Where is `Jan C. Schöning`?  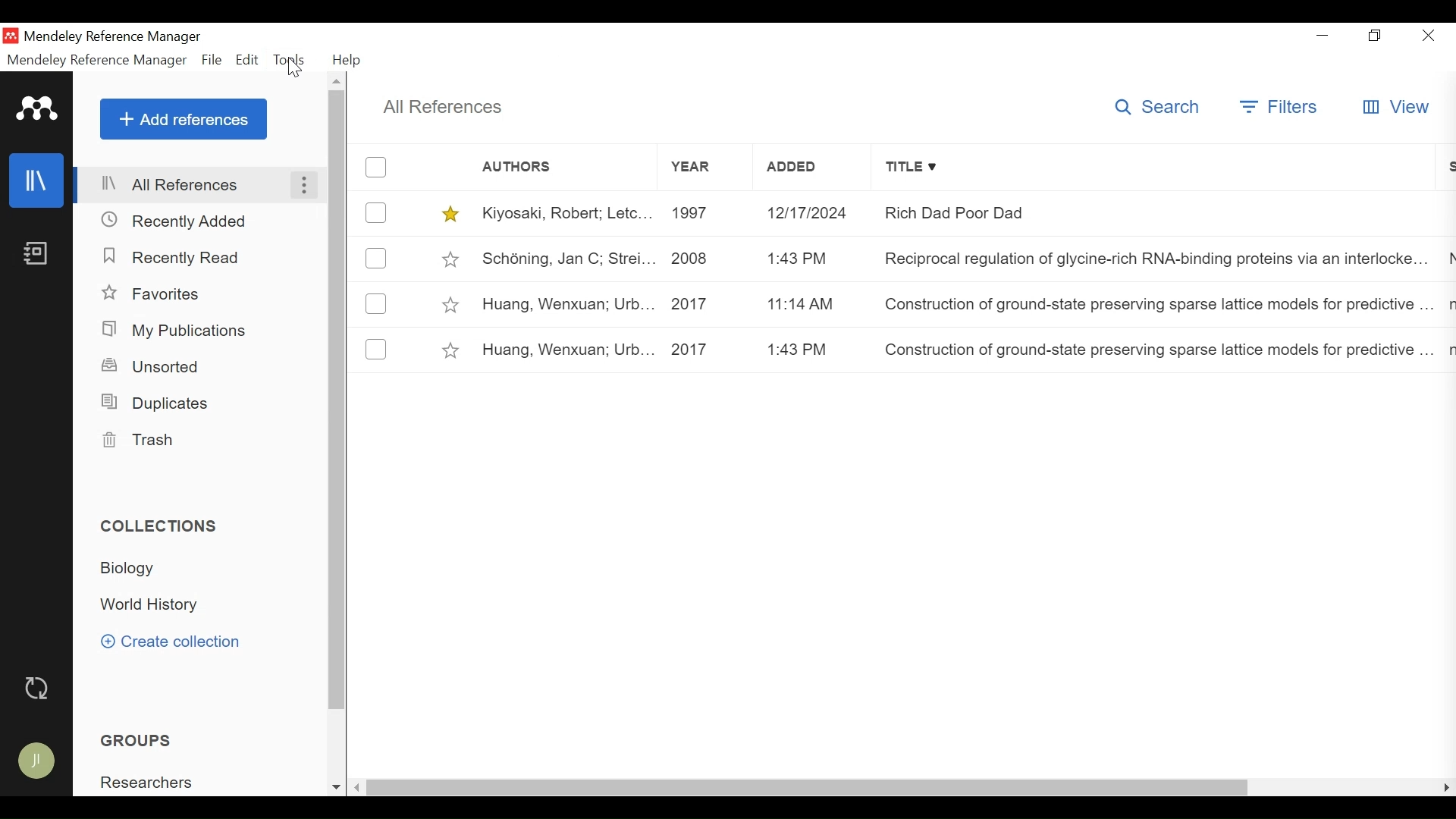 Jan C. Schöning is located at coordinates (567, 260).